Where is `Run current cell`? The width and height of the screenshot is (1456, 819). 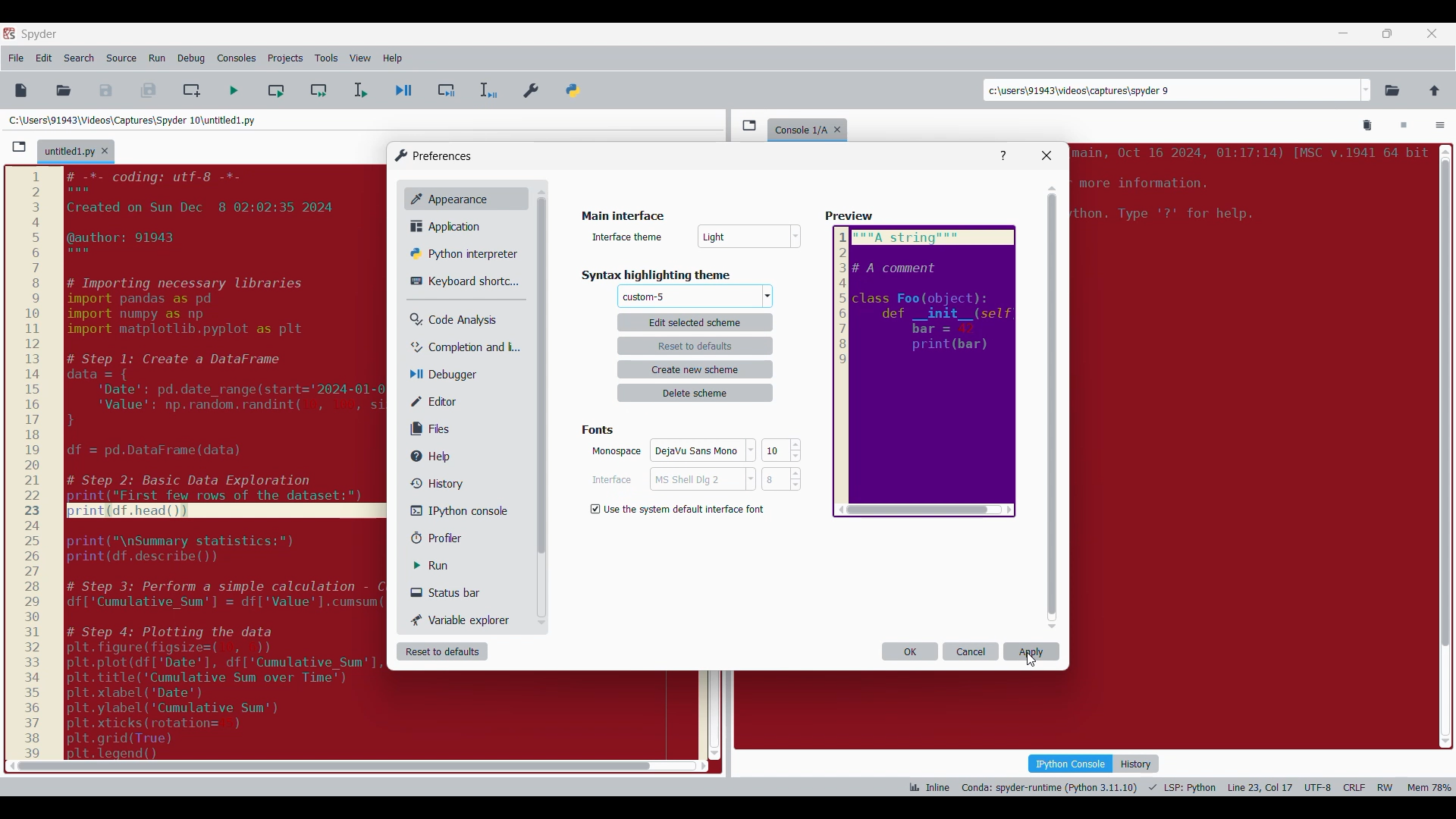
Run current cell is located at coordinates (276, 90).